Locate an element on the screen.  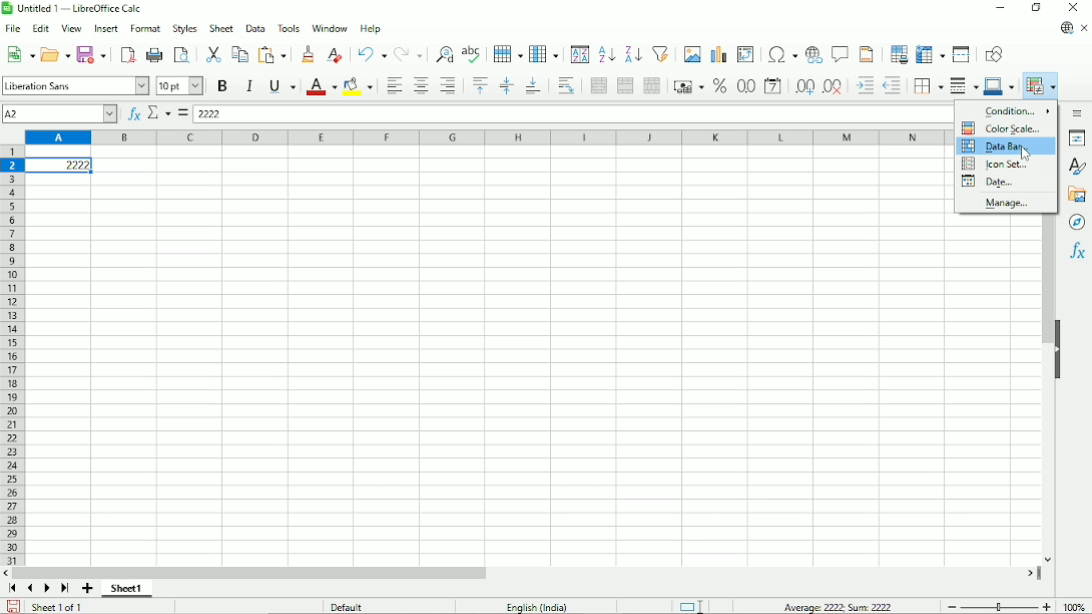
Horizontal scrollbar is located at coordinates (249, 573).